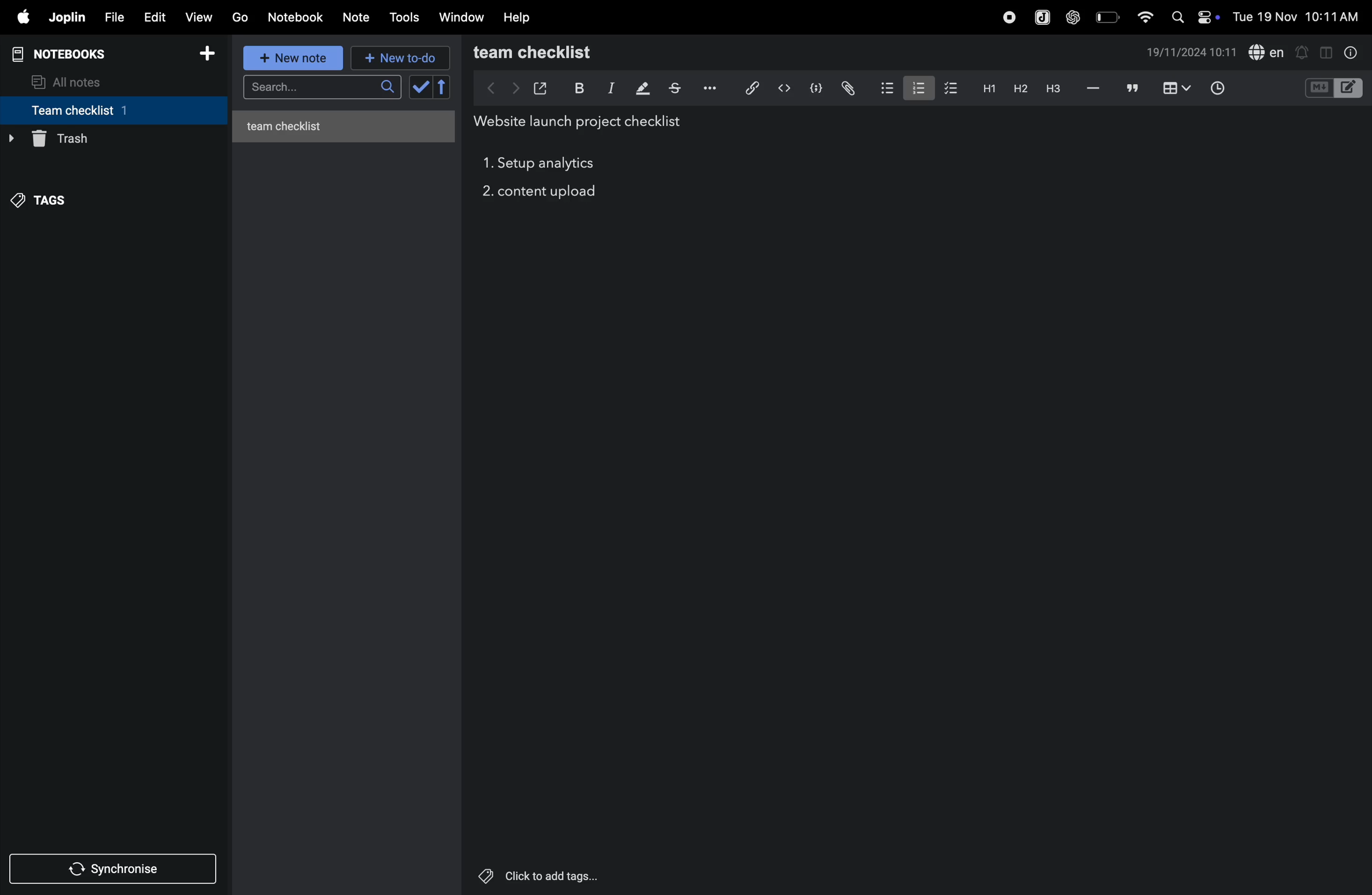 This screenshot has width=1372, height=895. Describe the element at coordinates (557, 52) in the screenshot. I see `team checklist` at that location.